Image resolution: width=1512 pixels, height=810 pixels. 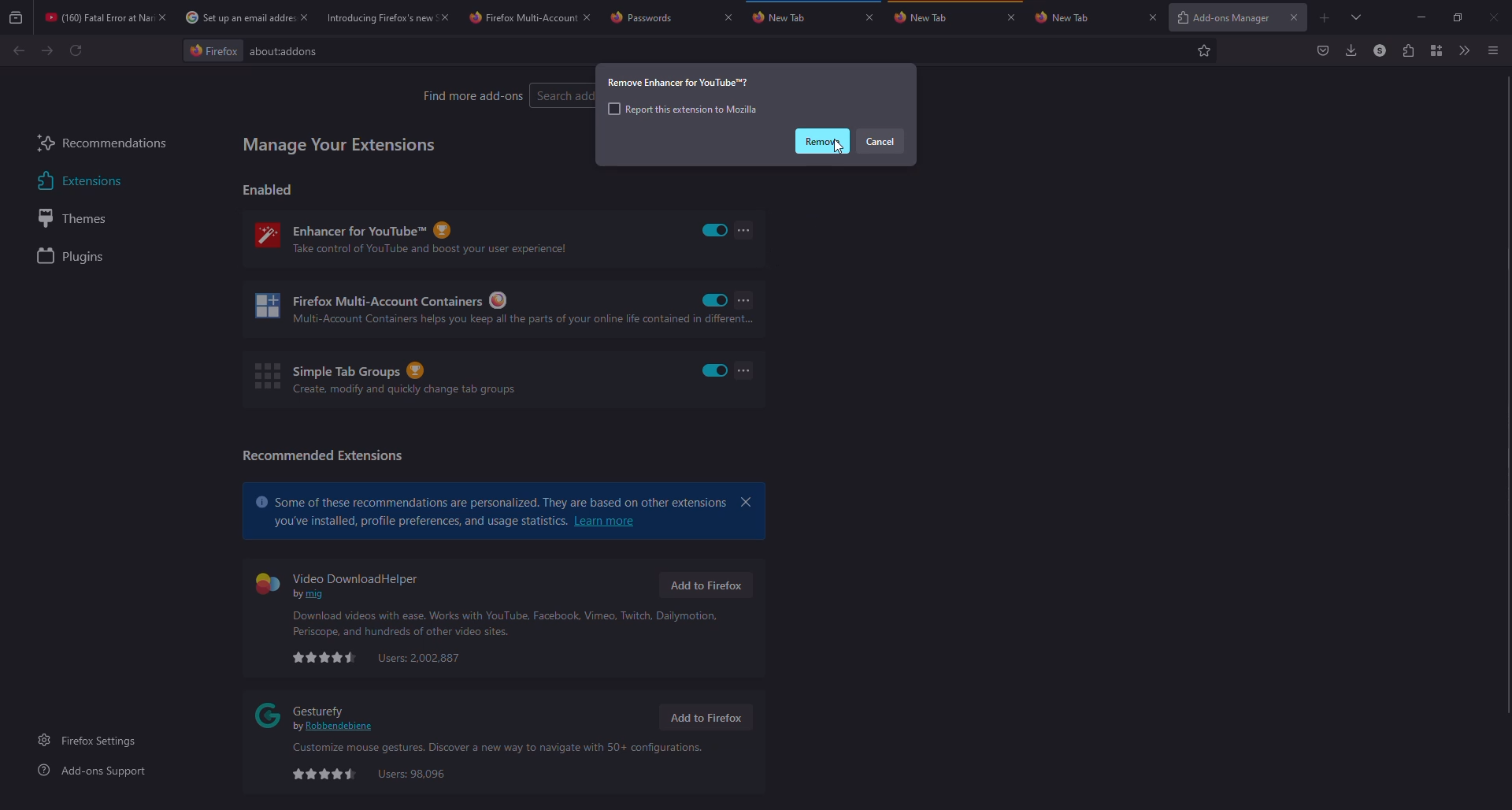 What do you see at coordinates (786, 16) in the screenshot?
I see `tab` at bounding box center [786, 16].